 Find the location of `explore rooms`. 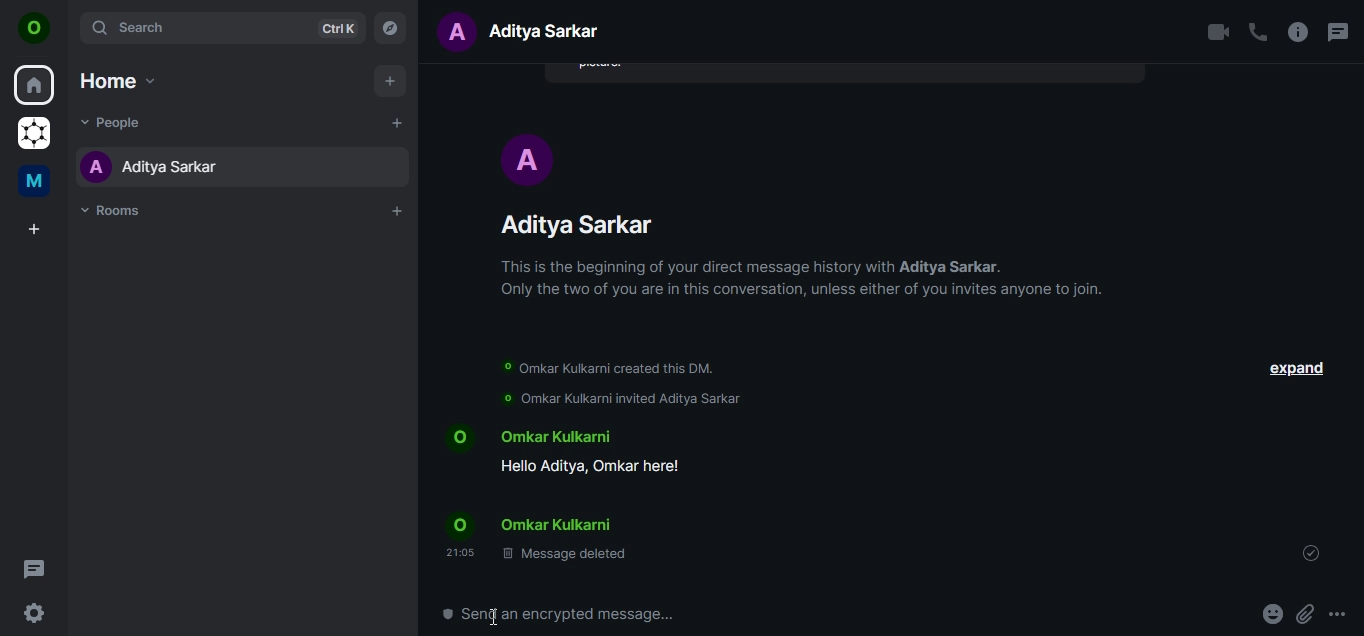

explore rooms is located at coordinates (391, 29).